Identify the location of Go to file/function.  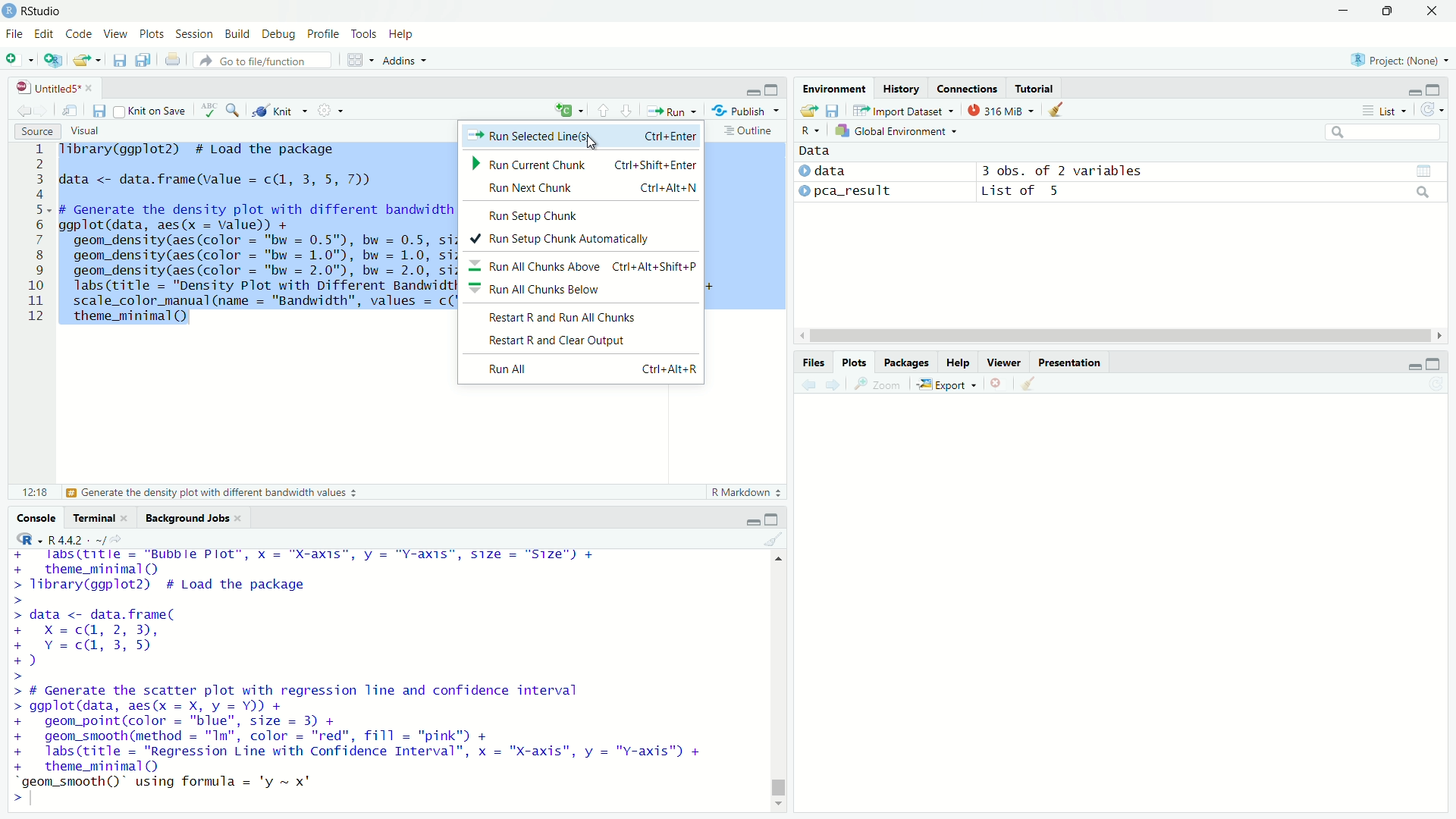
(262, 61).